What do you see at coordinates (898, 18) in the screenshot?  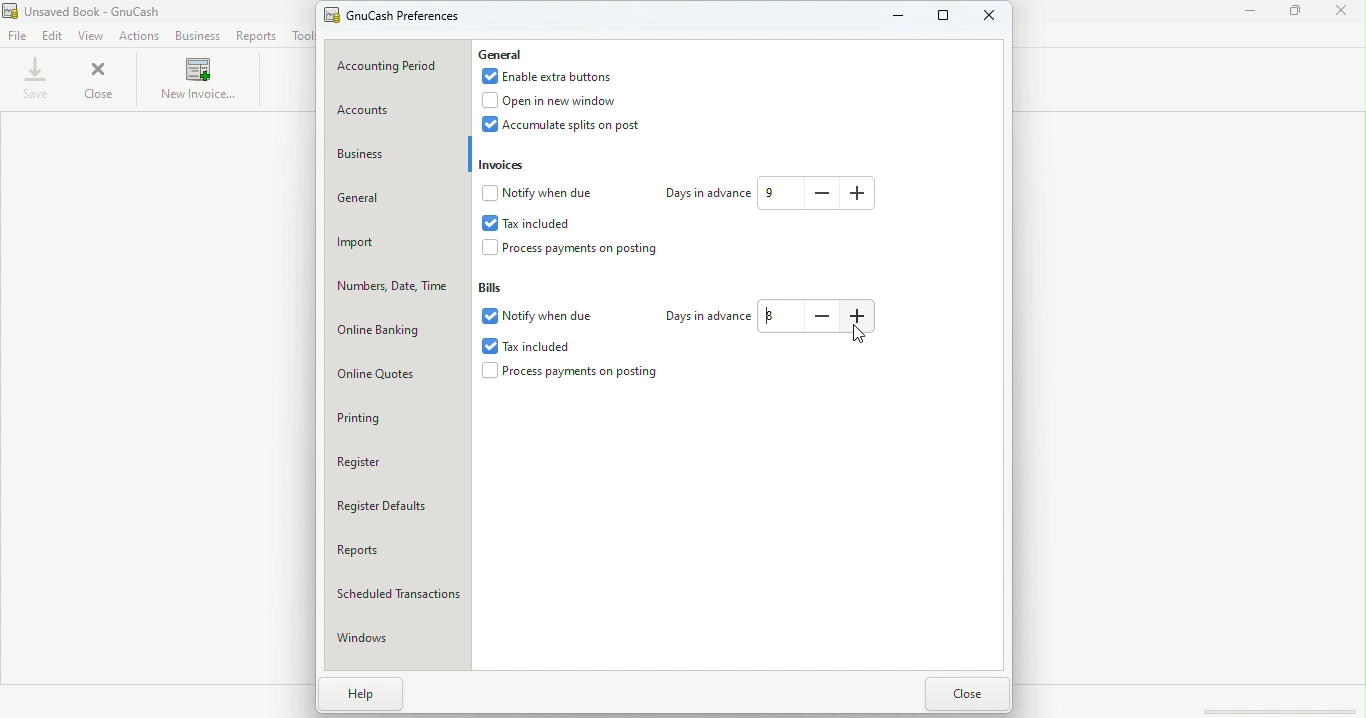 I see `Minimize` at bounding box center [898, 18].